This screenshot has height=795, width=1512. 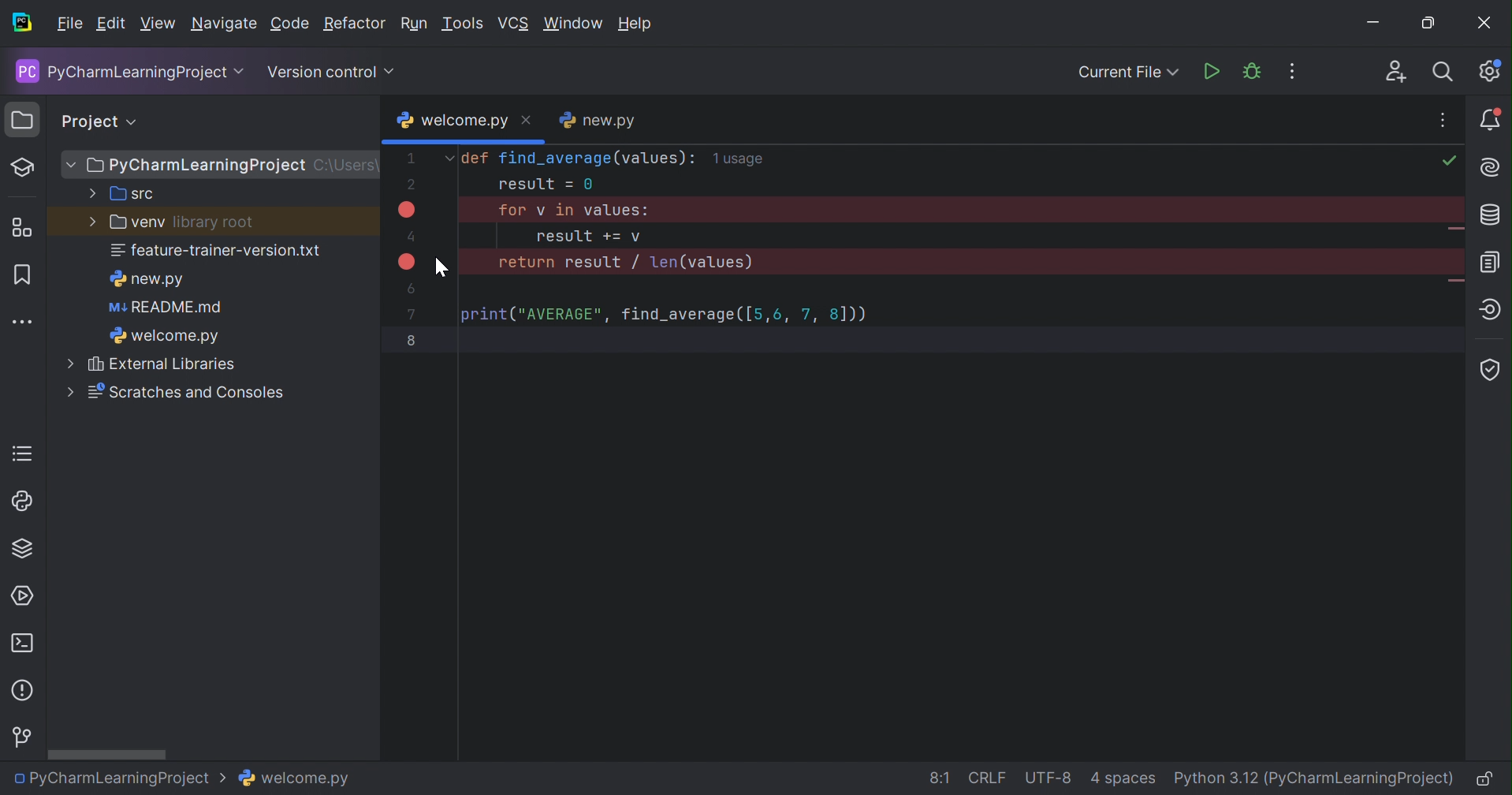 What do you see at coordinates (20, 596) in the screenshot?
I see `Services` at bounding box center [20, 596].